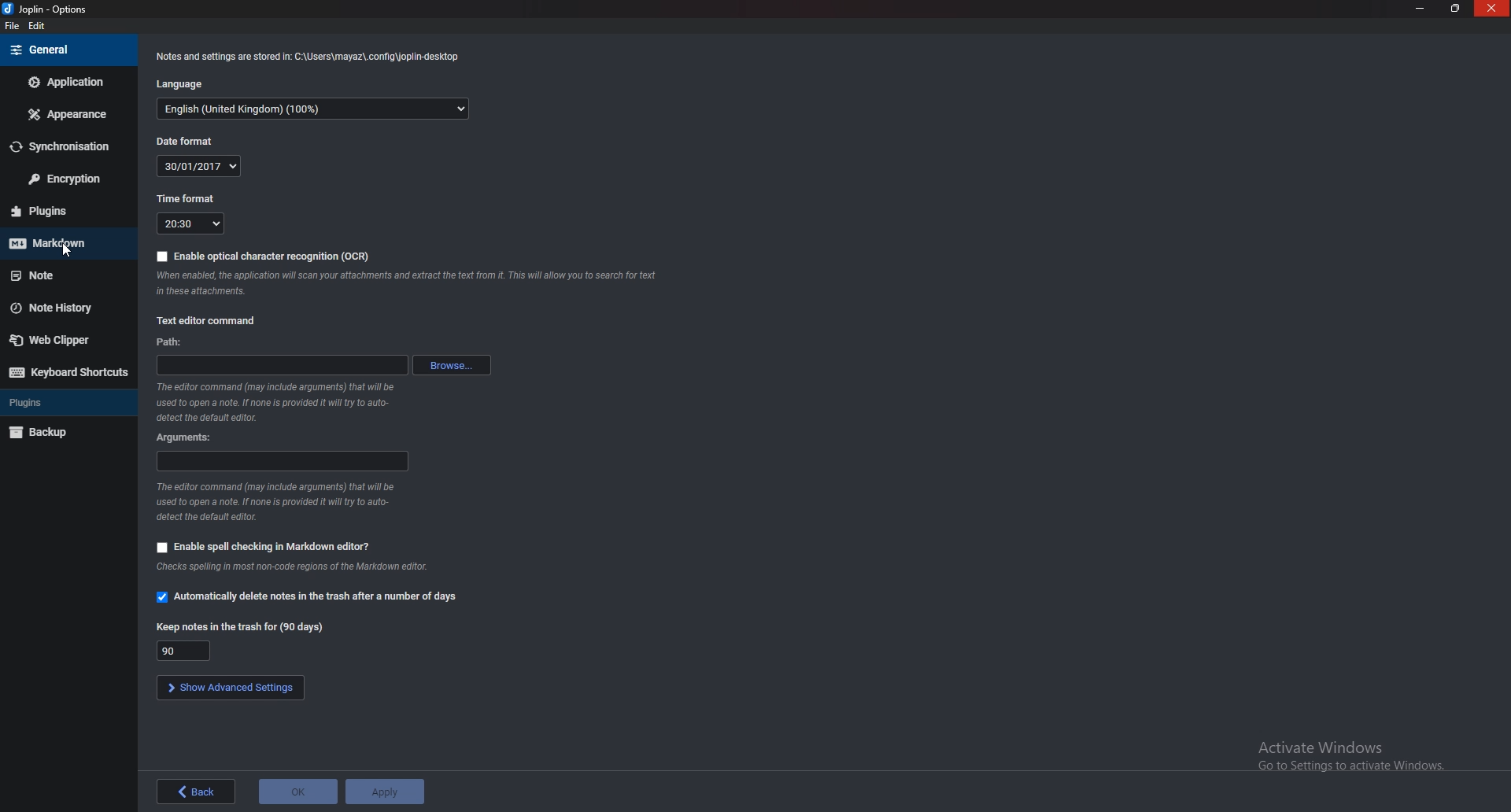  Describe the element at coordinates (71, 113) in the screenshot. I see `appearance` at that location.